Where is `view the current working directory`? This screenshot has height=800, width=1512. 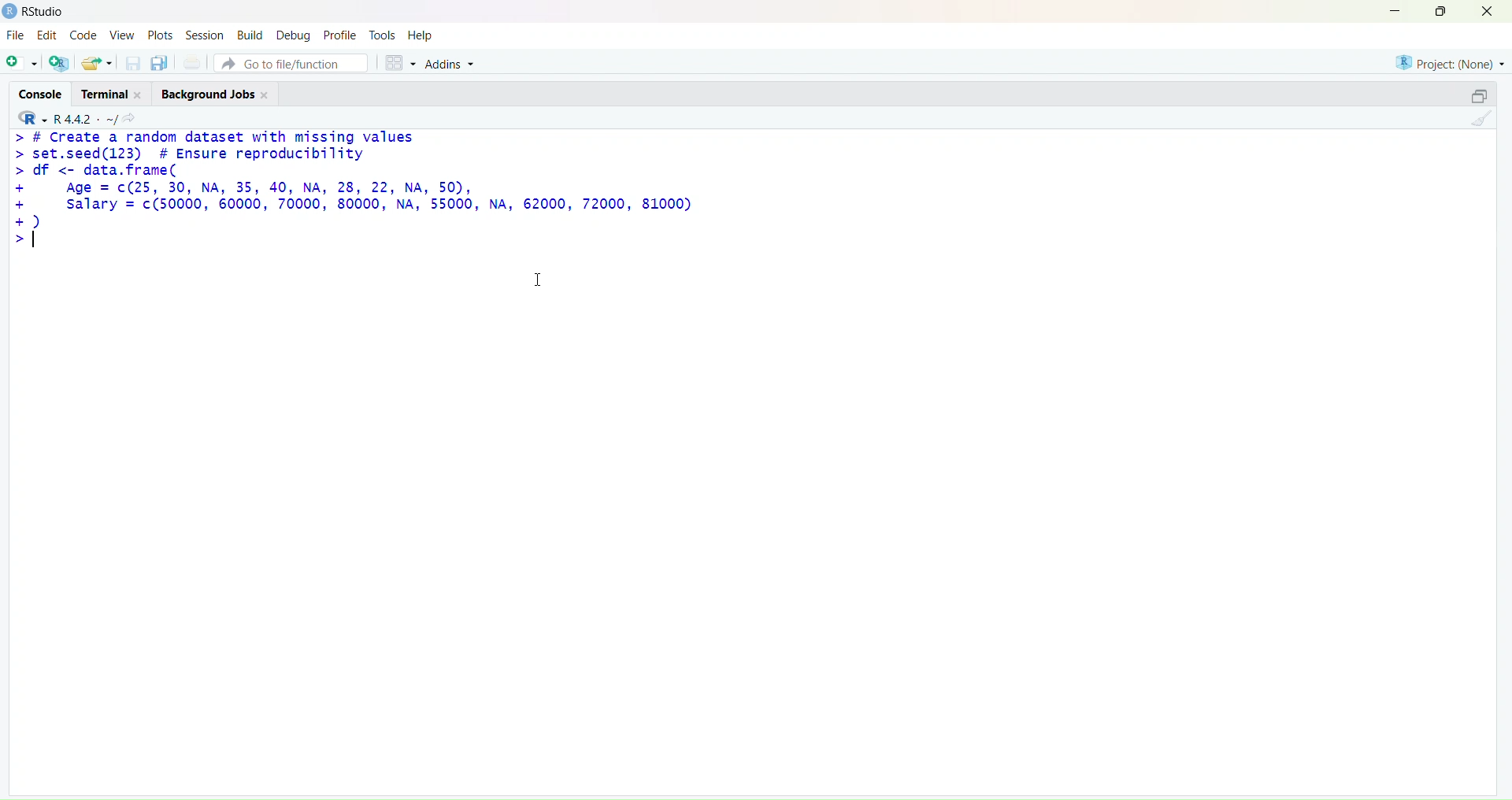
view the current working directory is located at coordinates (130, 118).